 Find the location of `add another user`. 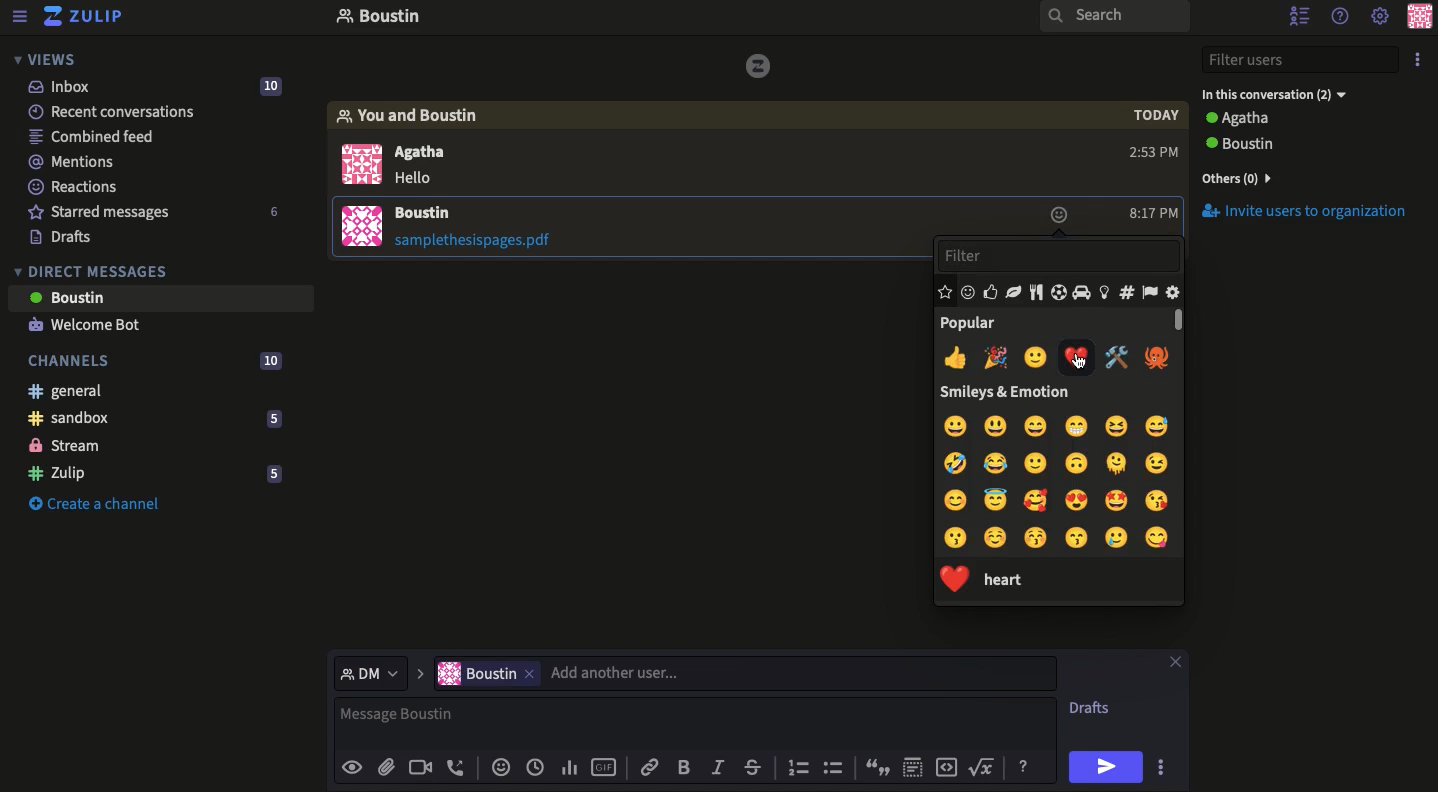

add another user is located at coordinates (803, 673).